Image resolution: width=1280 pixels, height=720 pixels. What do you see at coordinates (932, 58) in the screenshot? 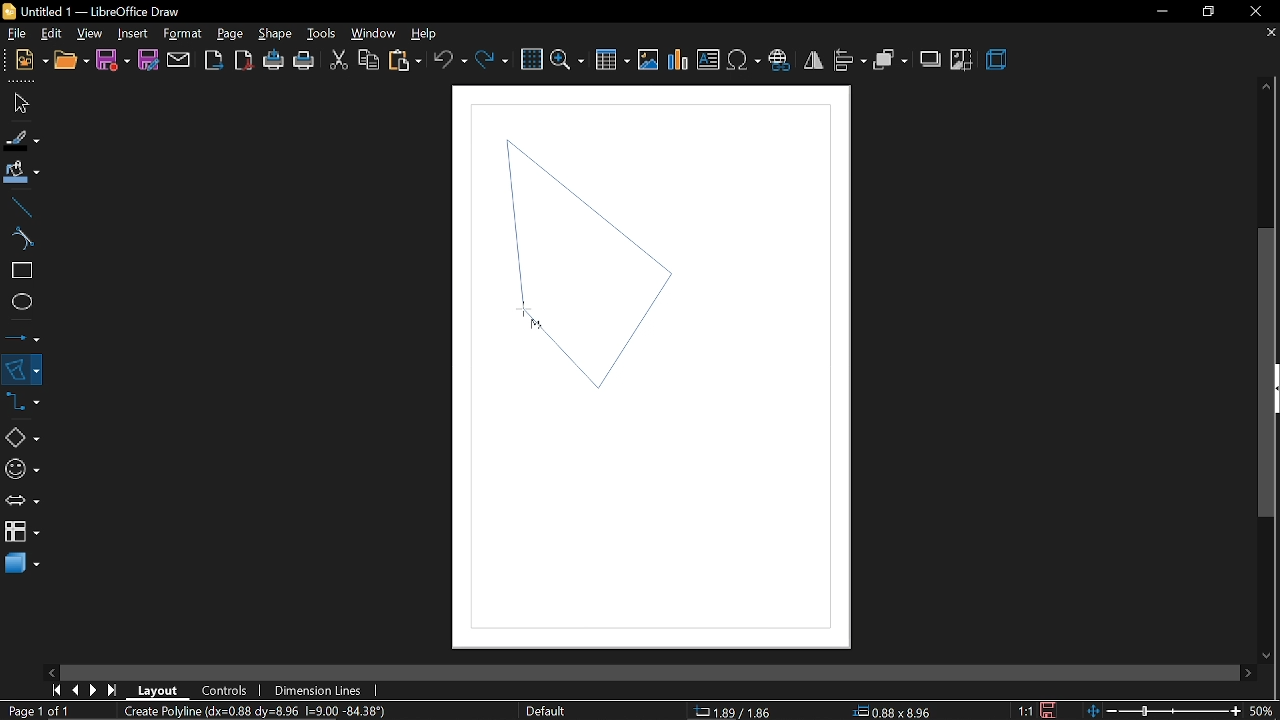
I see `shadow` at bounding box center [932, 58].